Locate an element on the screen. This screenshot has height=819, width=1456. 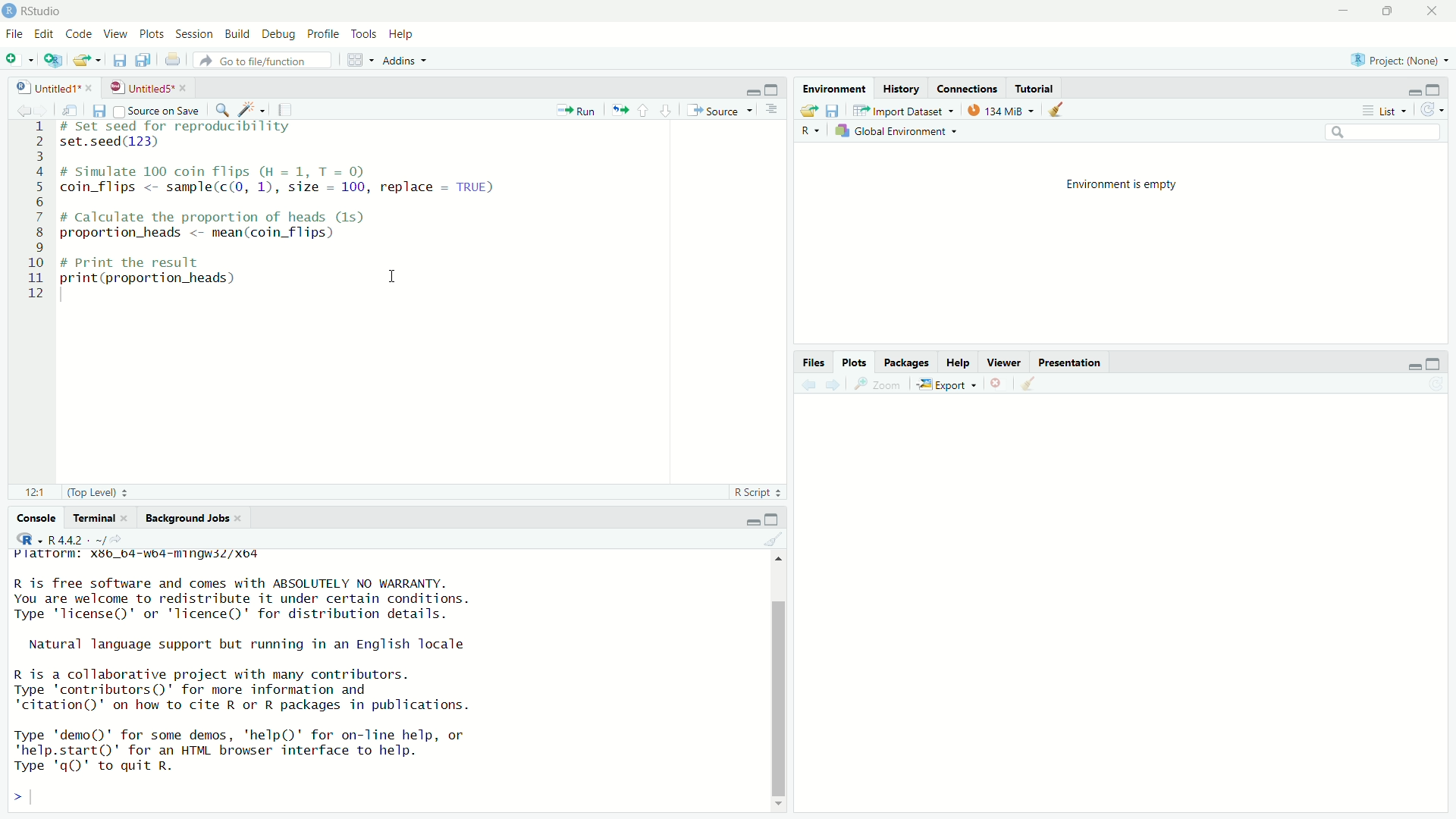
Help is located at coordinates (959, 363).